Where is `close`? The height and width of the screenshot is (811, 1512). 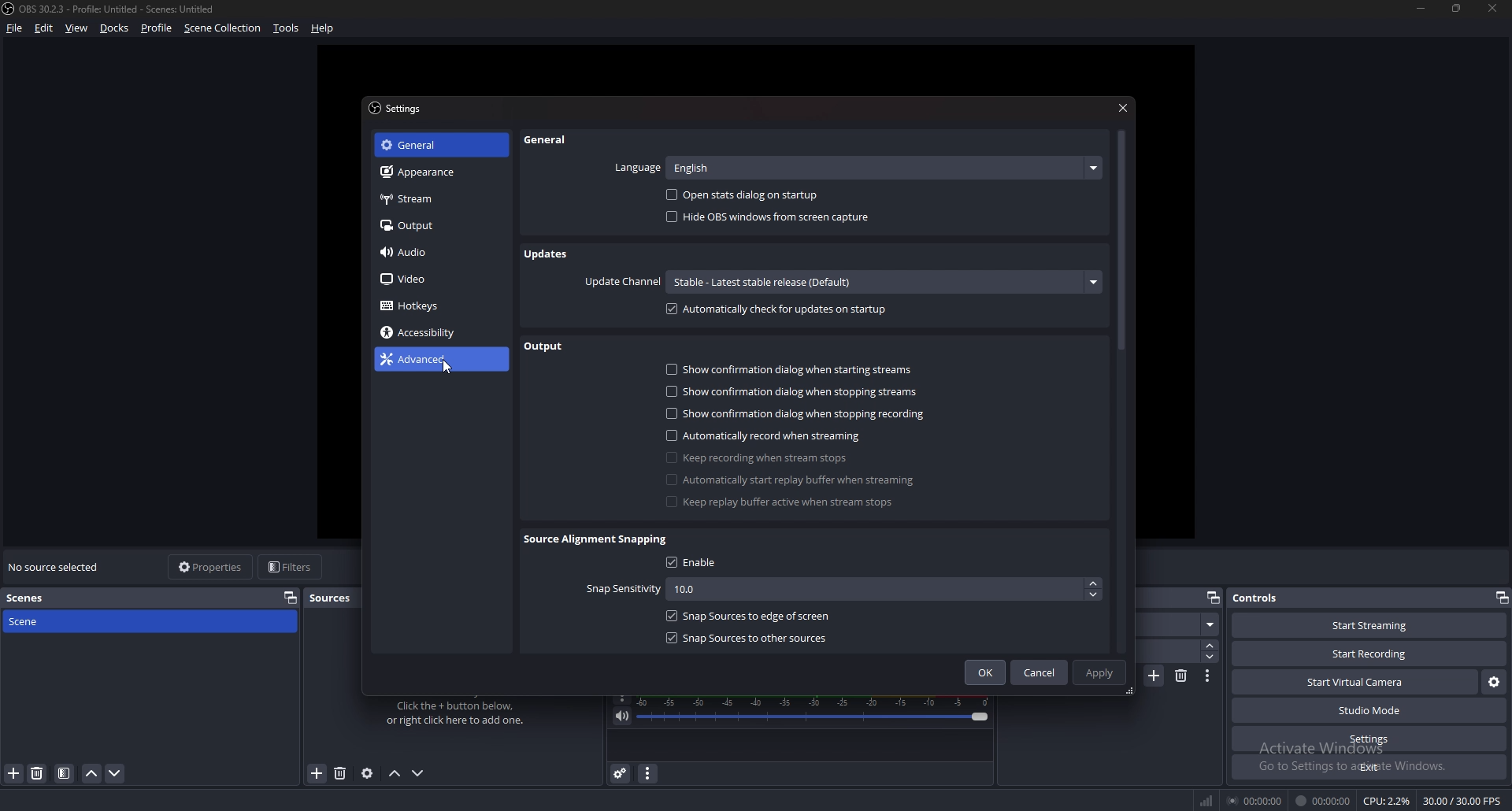
close is located at coordinates (1125, 106).